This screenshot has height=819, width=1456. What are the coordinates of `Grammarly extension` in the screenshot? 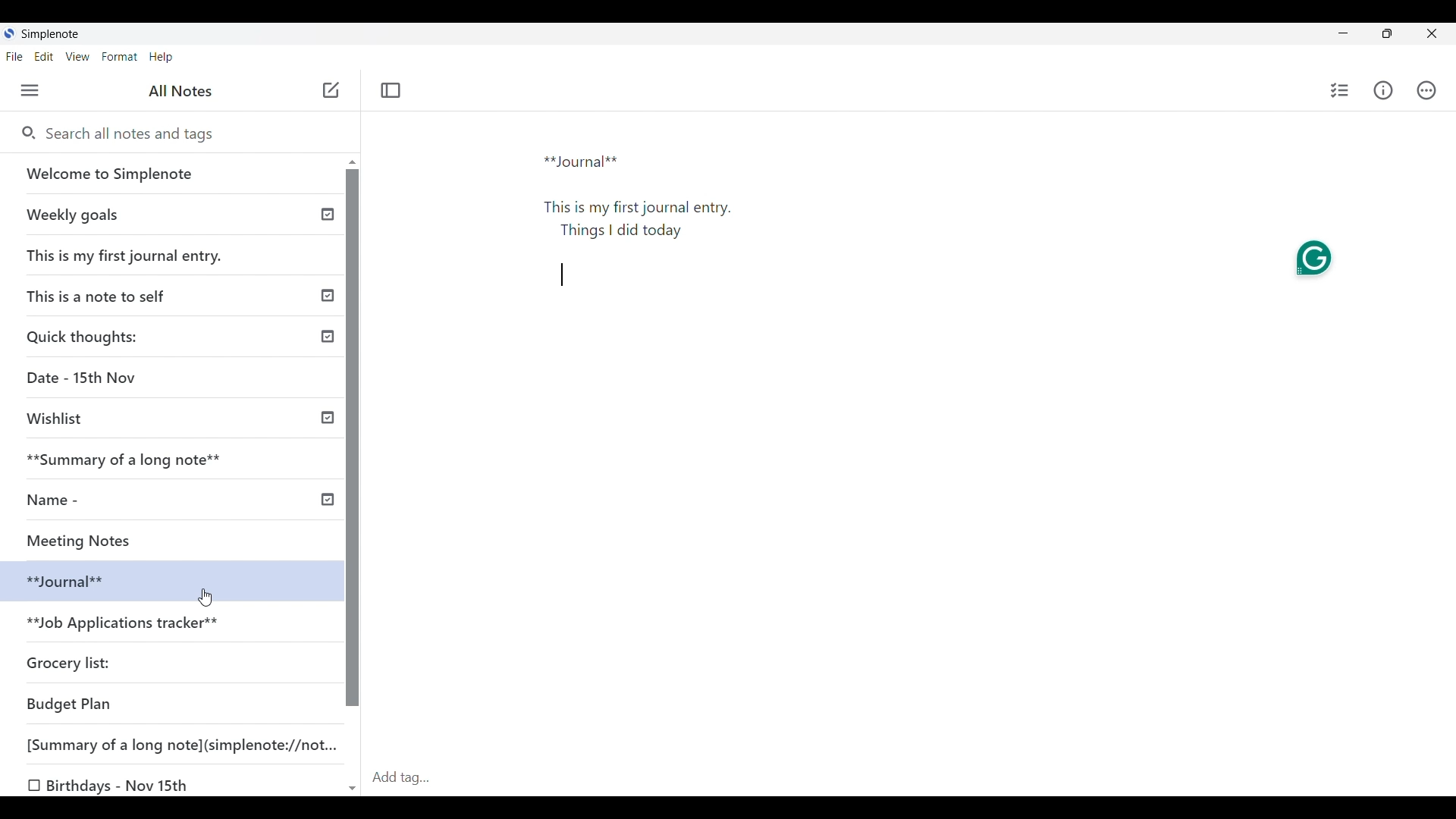 It's located at (1313, 259).